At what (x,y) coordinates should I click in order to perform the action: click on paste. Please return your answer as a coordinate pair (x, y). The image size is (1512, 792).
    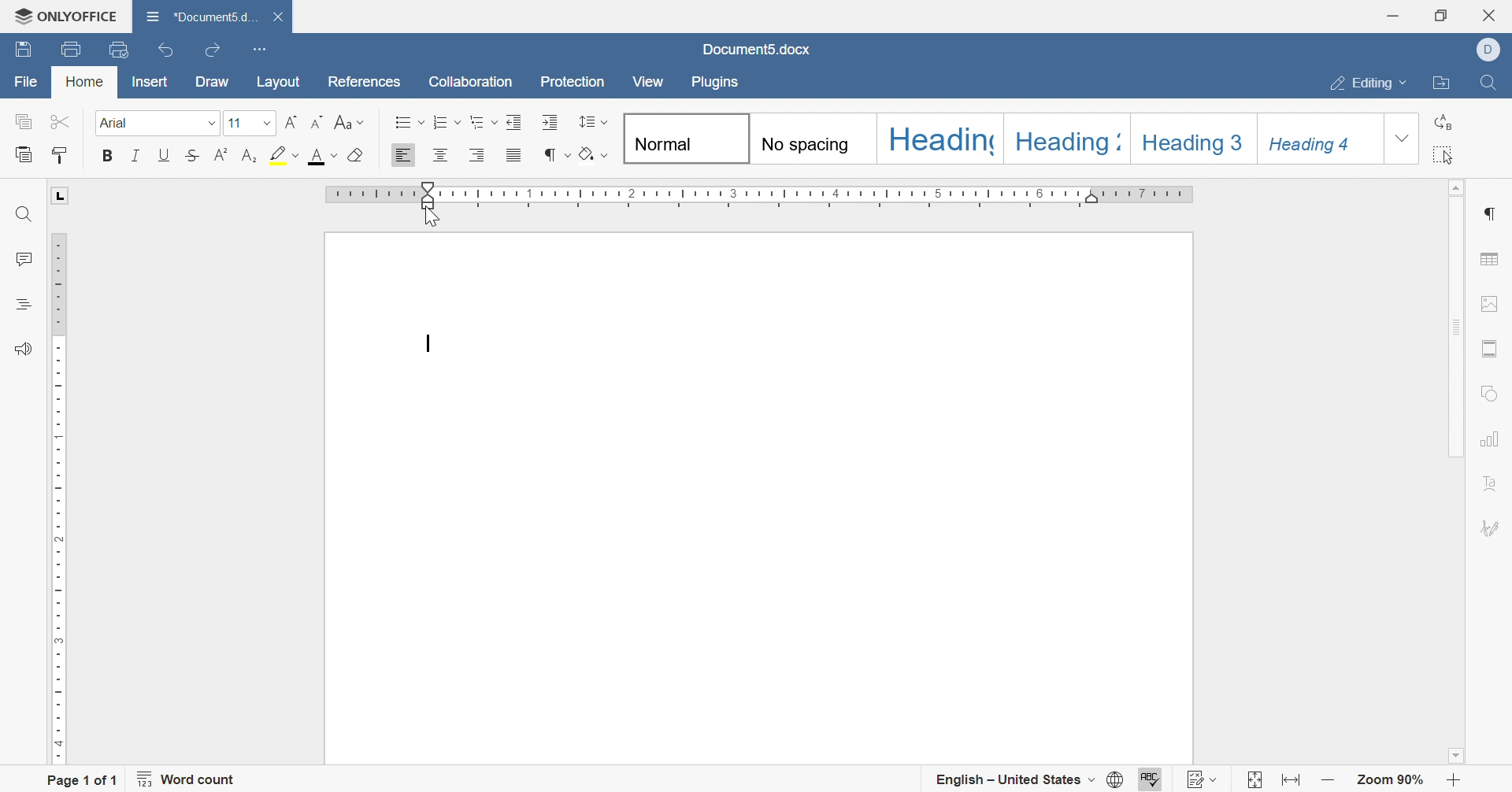
    Looking at the image, I should click on (26, 154).